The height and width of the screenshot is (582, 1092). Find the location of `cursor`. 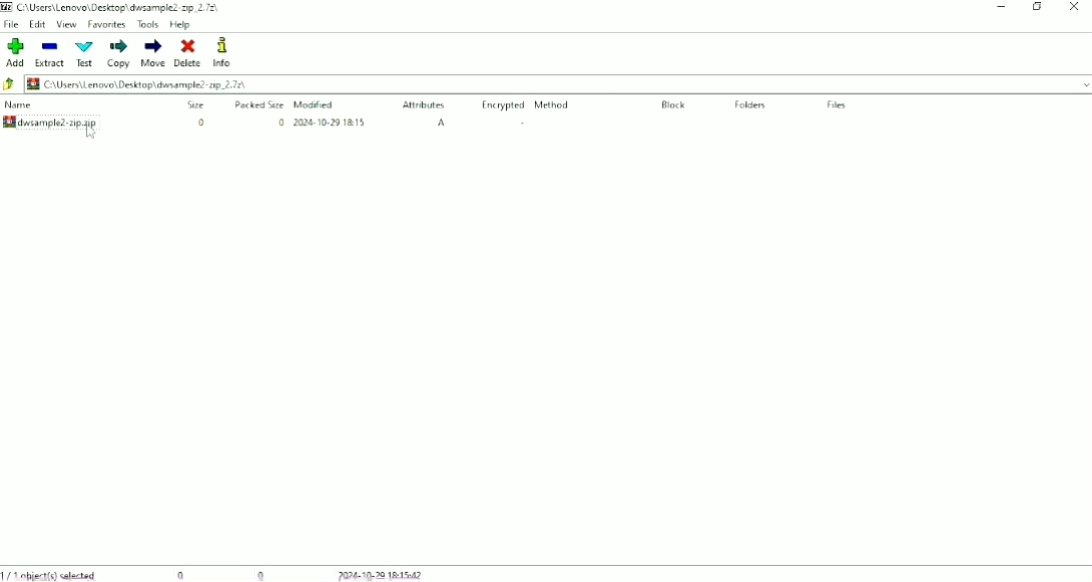

cursor is located at coordinates (92, 133).